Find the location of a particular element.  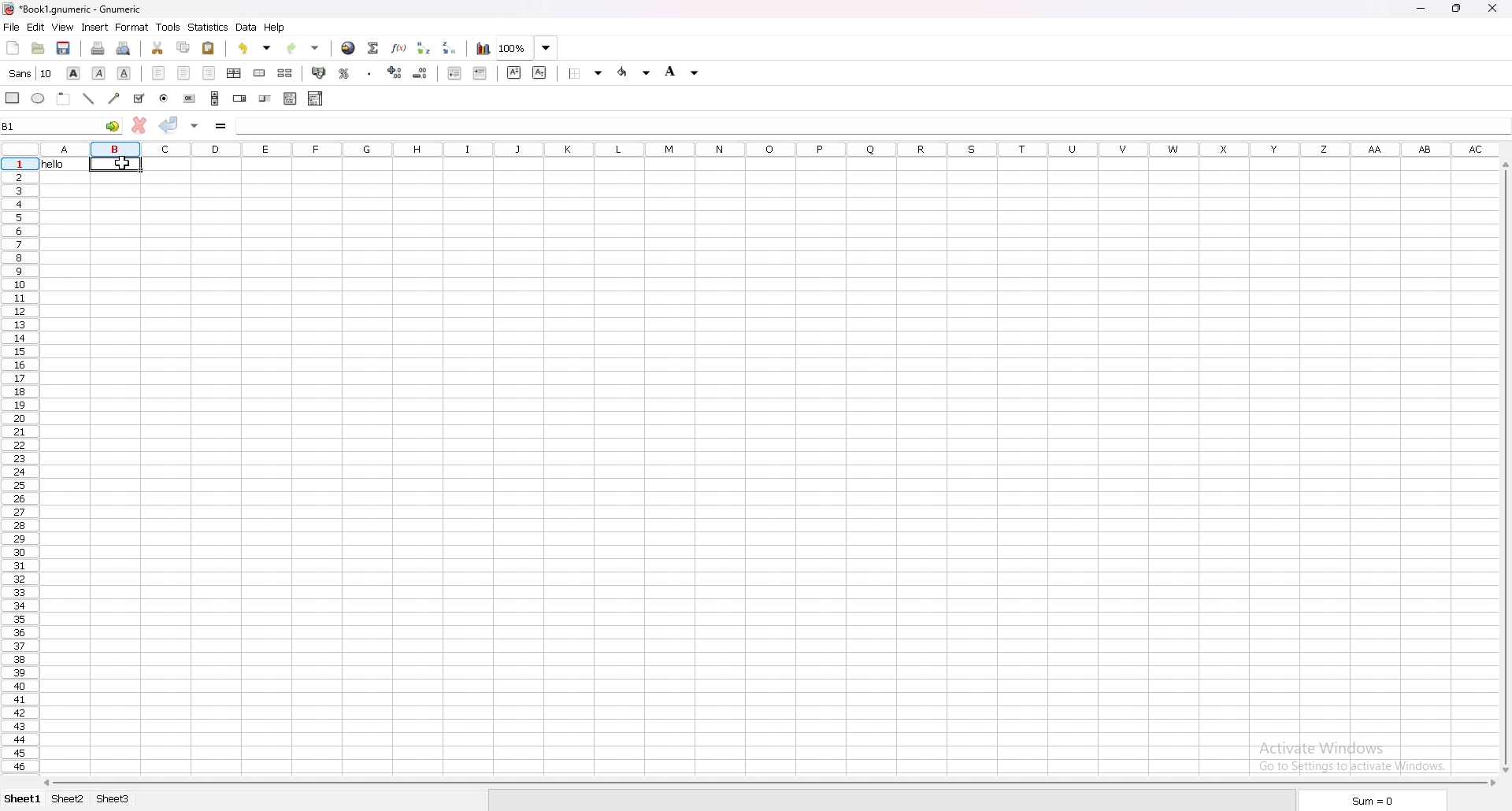

tab is located at coordinates (112, 799).